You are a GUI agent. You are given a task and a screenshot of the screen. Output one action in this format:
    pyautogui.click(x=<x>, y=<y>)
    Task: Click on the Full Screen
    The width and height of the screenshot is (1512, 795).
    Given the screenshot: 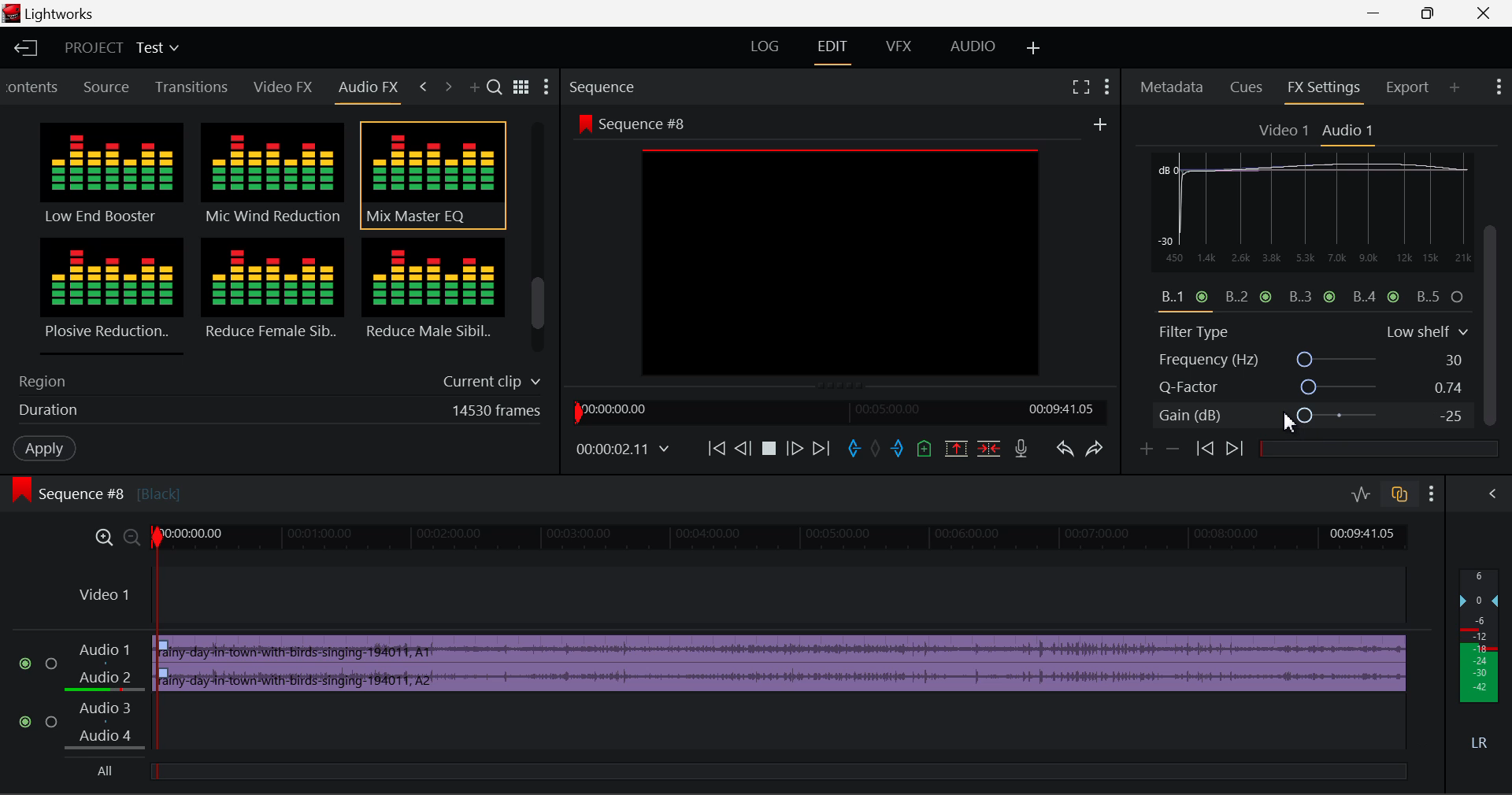 What is the action you would take?
    pyautogui.click(x=1080, y=87)
    